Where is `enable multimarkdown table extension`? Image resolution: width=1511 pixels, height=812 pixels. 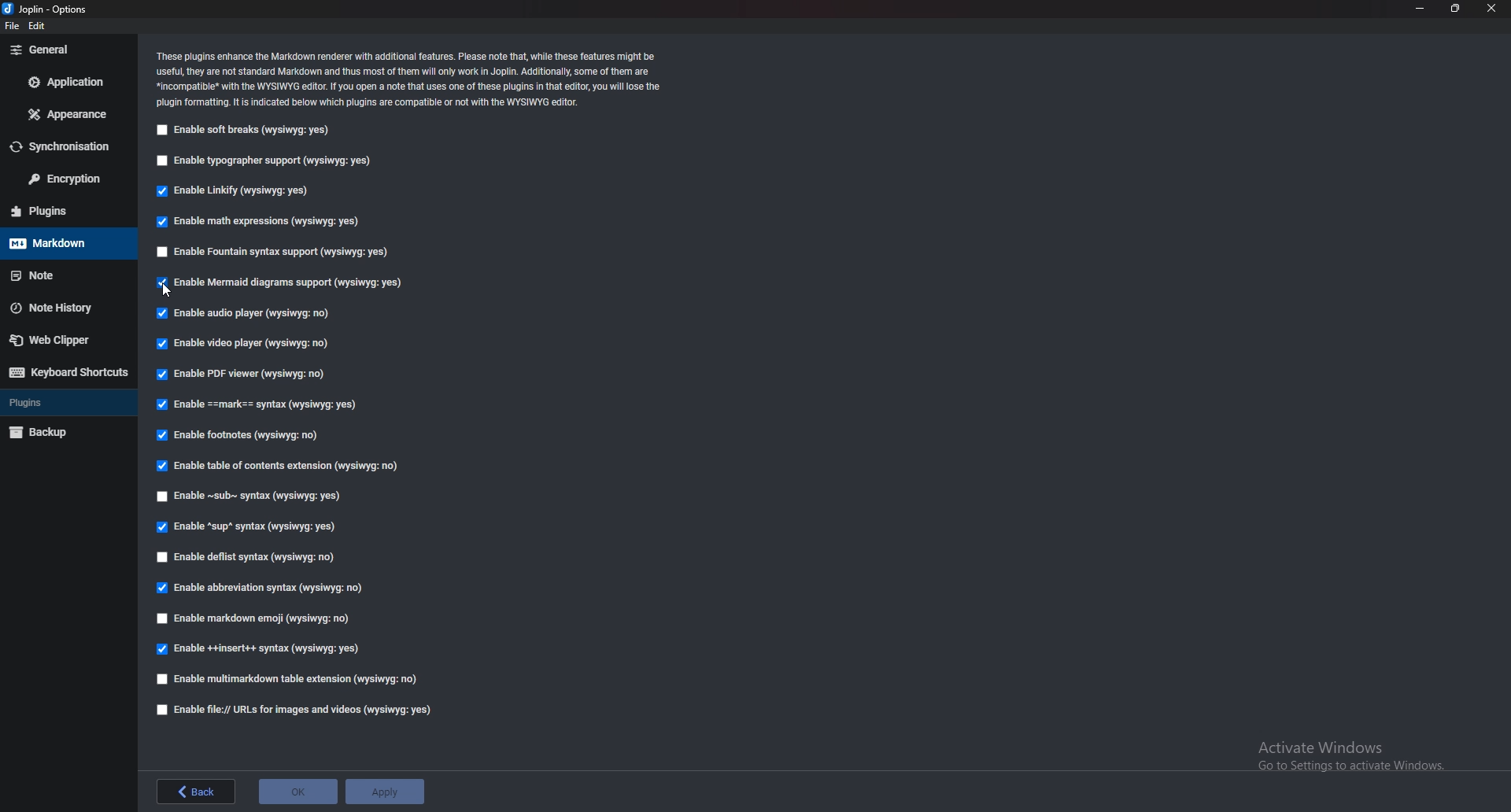 enable multimarkdown table extension is located at coordinates (290, 680).